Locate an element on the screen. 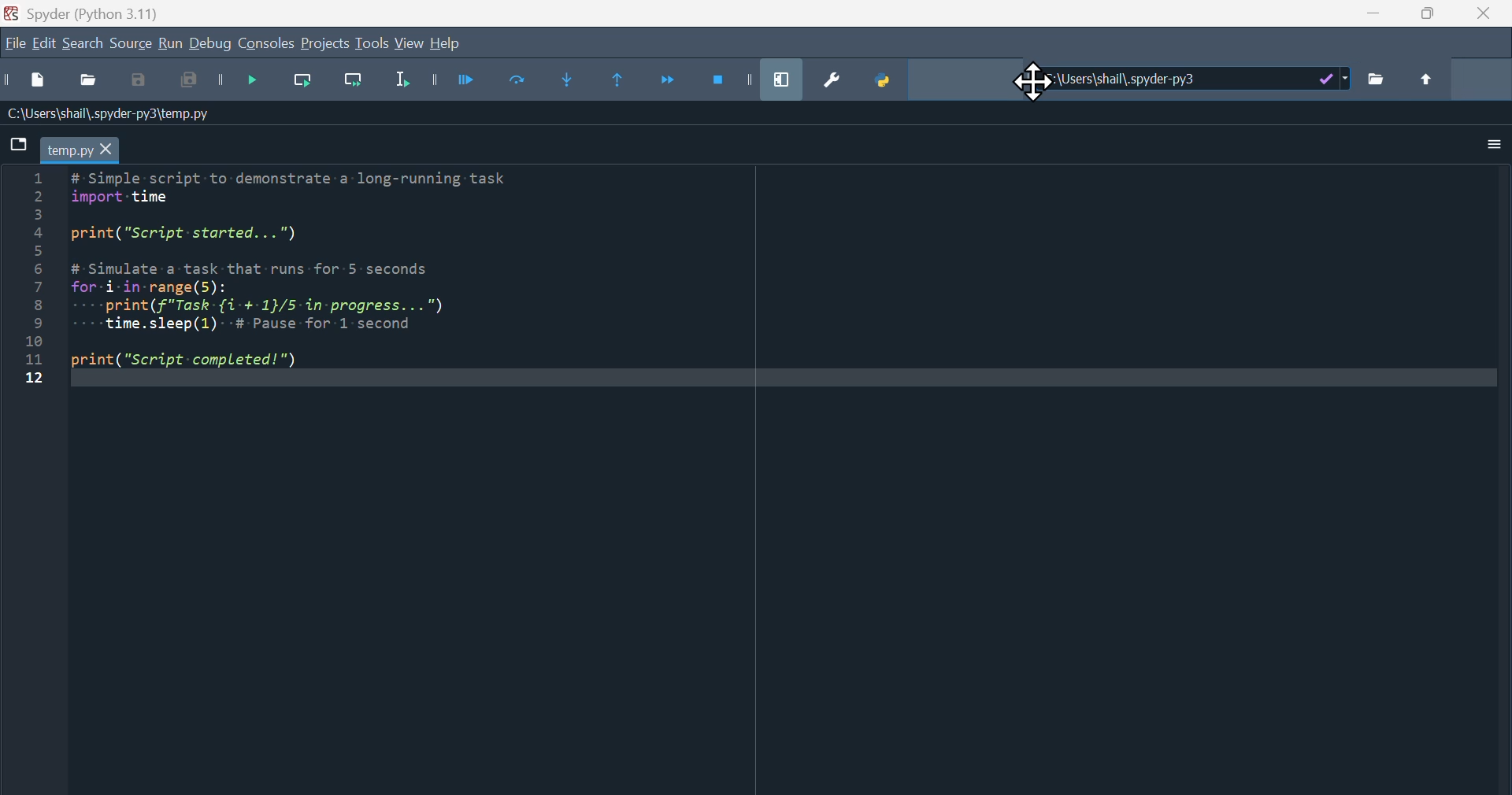 This screenshot has height=795, width=1512. Upload file is located at coordinates (1428, 79).